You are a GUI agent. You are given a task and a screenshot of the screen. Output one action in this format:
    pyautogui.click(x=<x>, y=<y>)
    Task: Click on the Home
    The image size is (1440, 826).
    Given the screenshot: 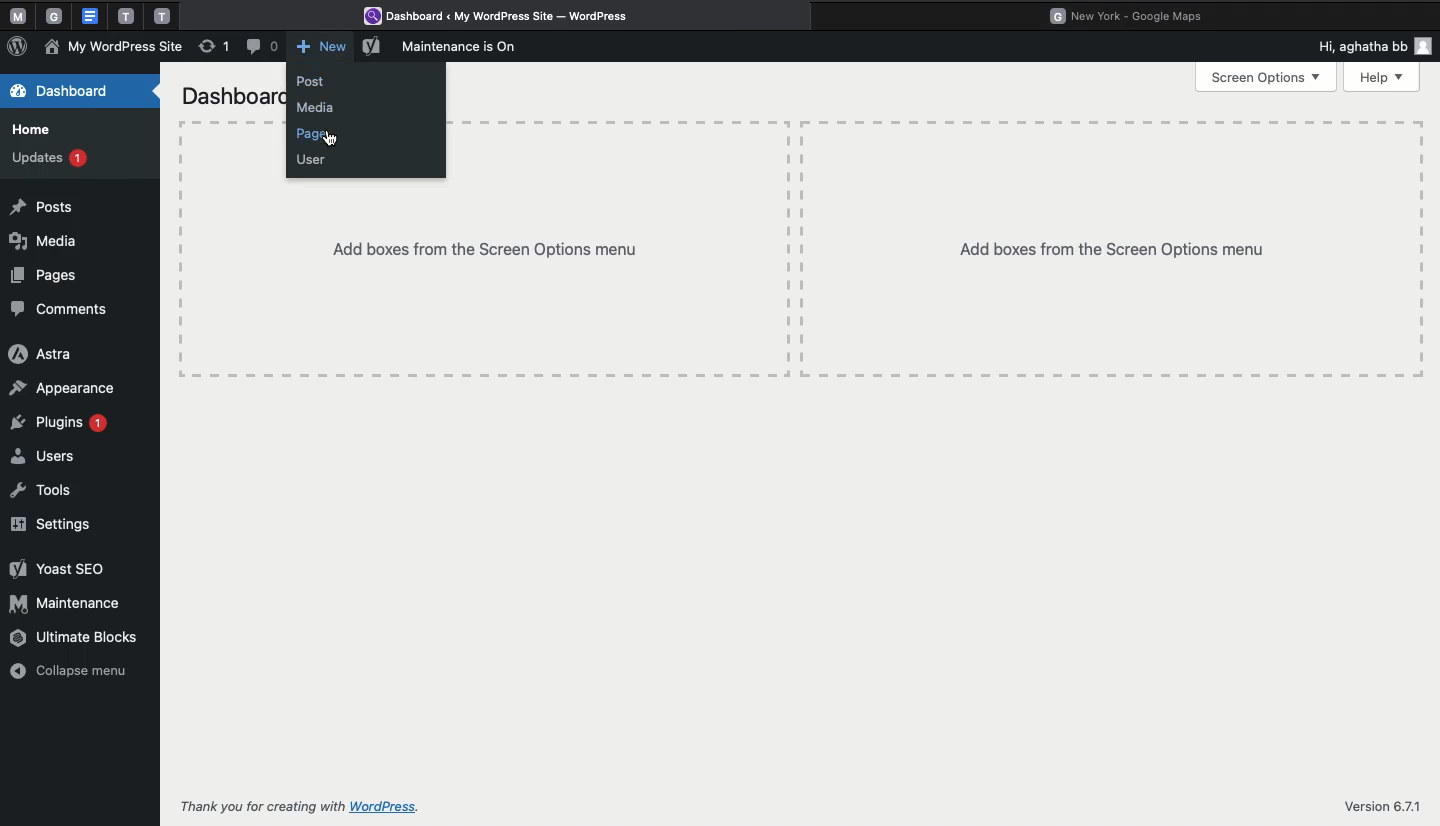 What is the action you would take?
    pyautogui.click(x=32, y=131)
    